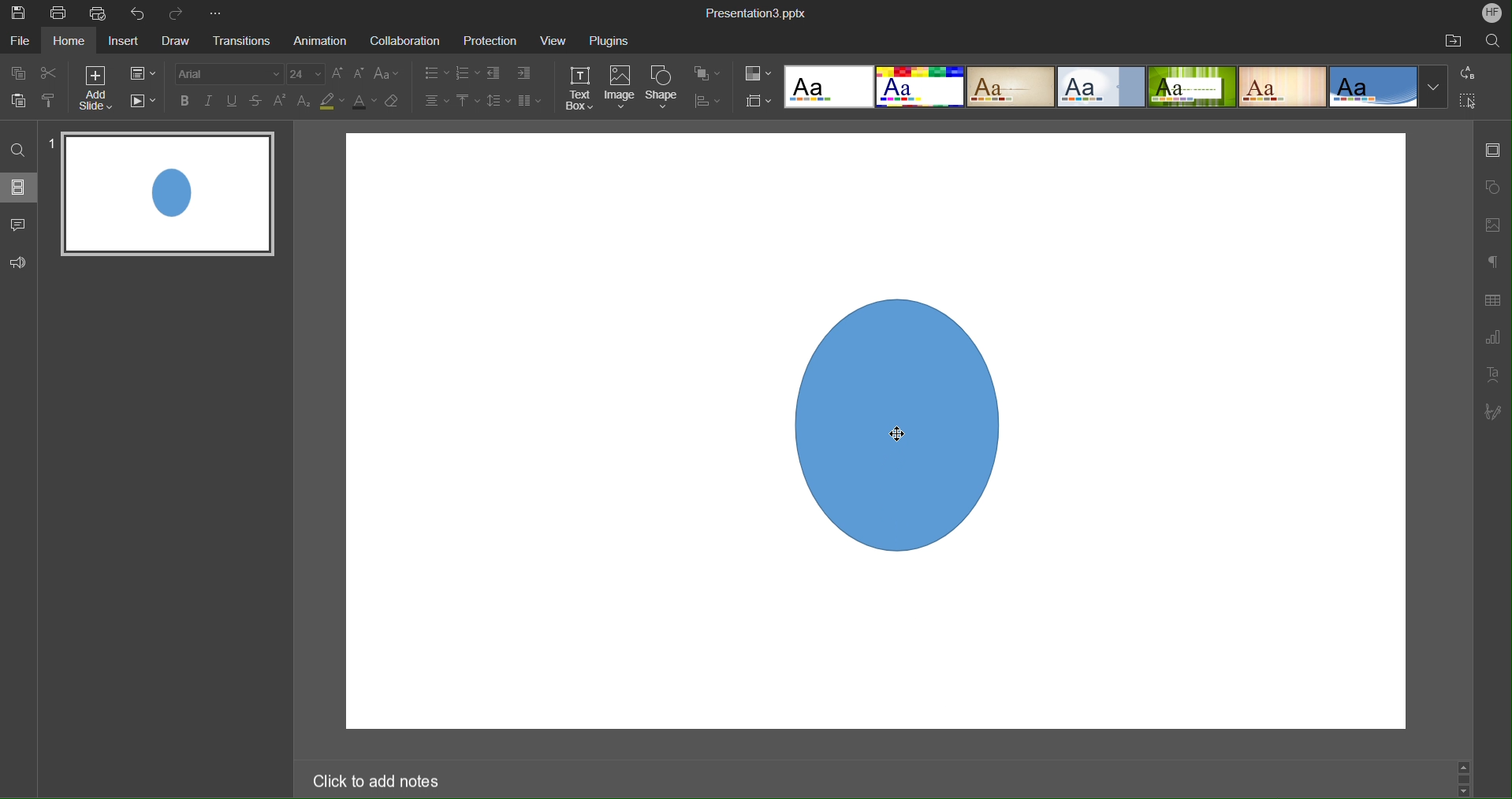 This screenshot has height=799, width=1512. What do you see at coordinates (1492, 188) in the screenshot?
I see `Shape Settings` at bounding box center [1492, 188].